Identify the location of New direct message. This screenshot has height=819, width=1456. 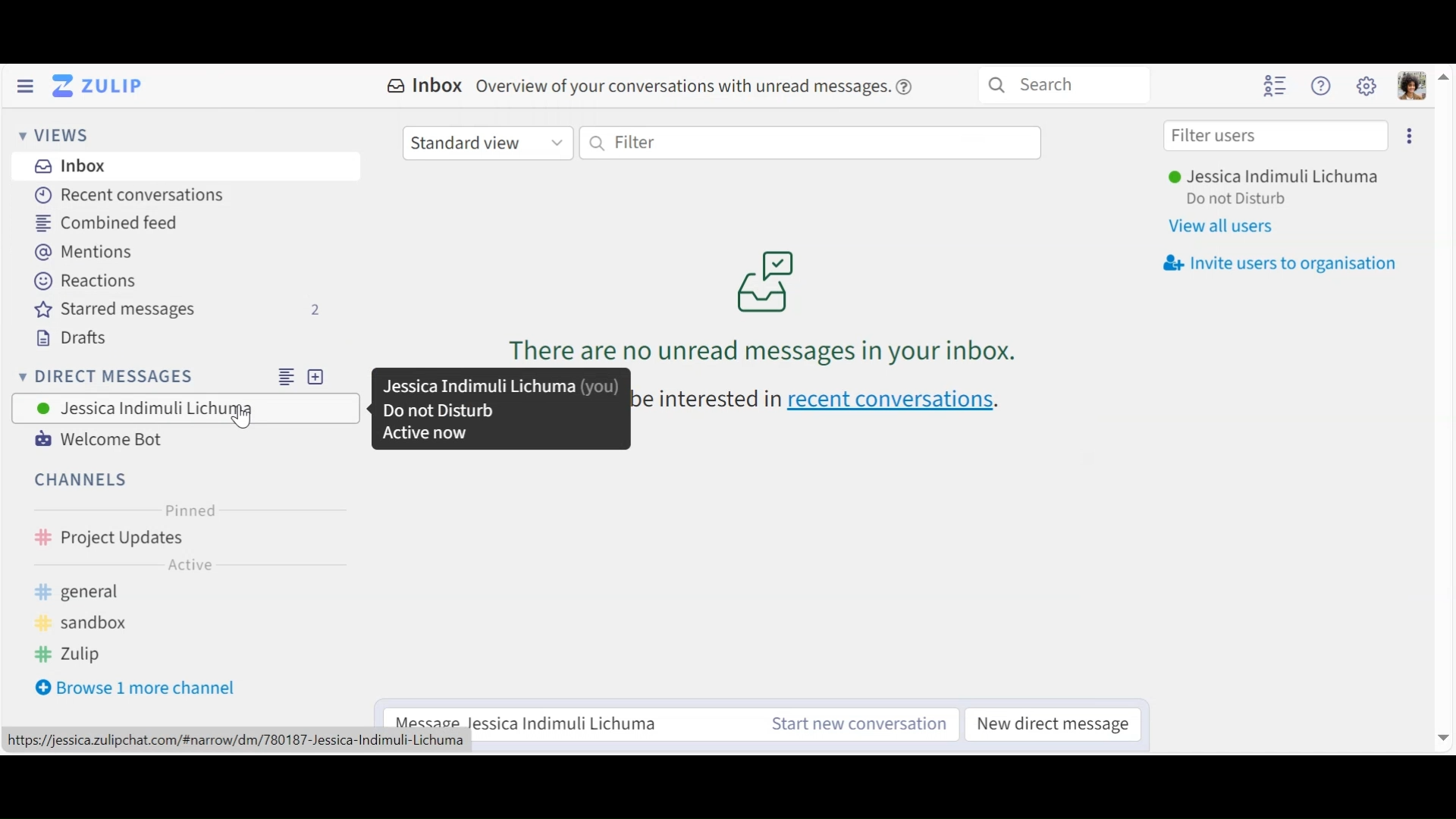
(1053, 724).